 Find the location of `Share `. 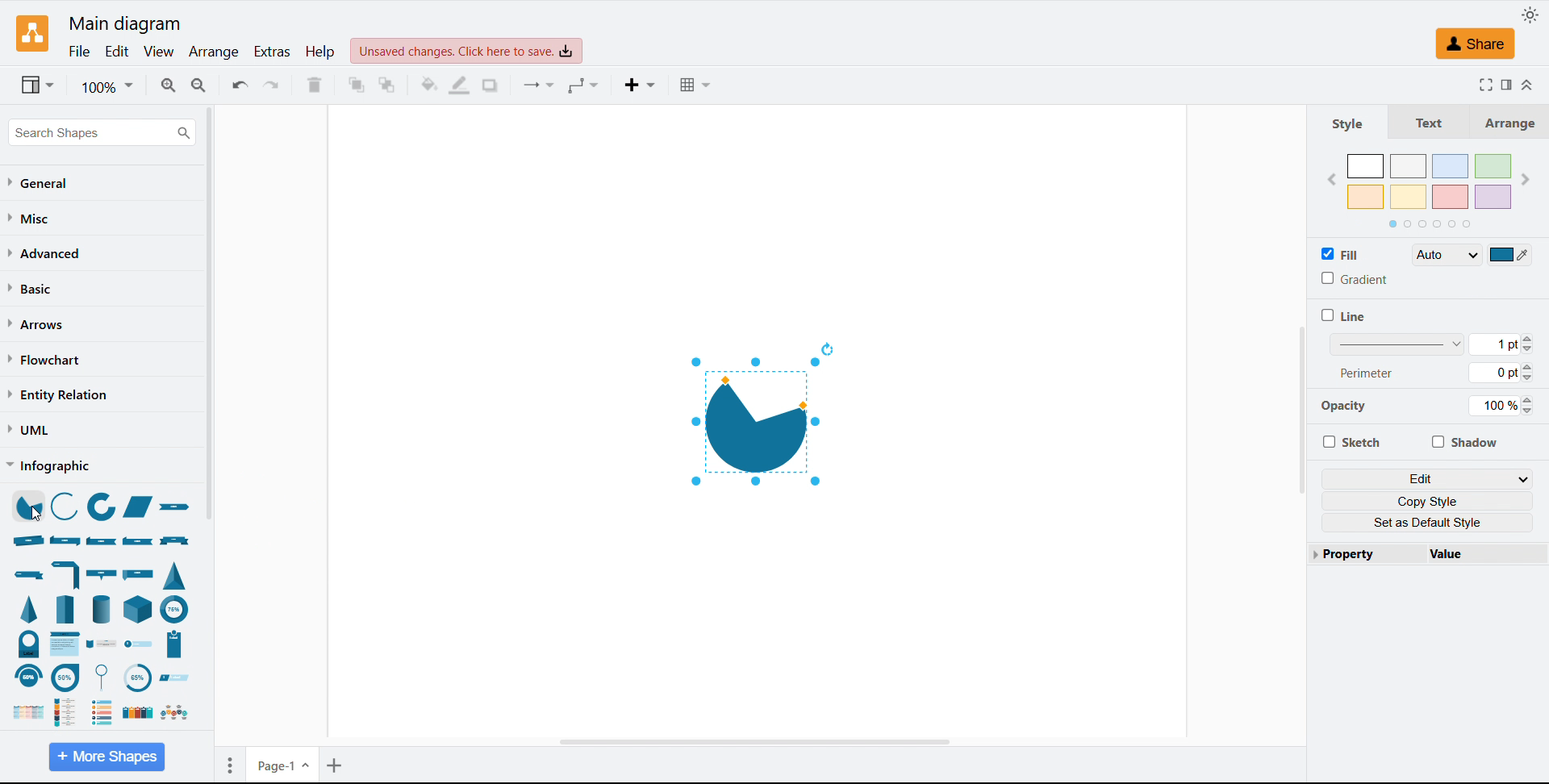

Share  is located at coordinates (1476, 44).